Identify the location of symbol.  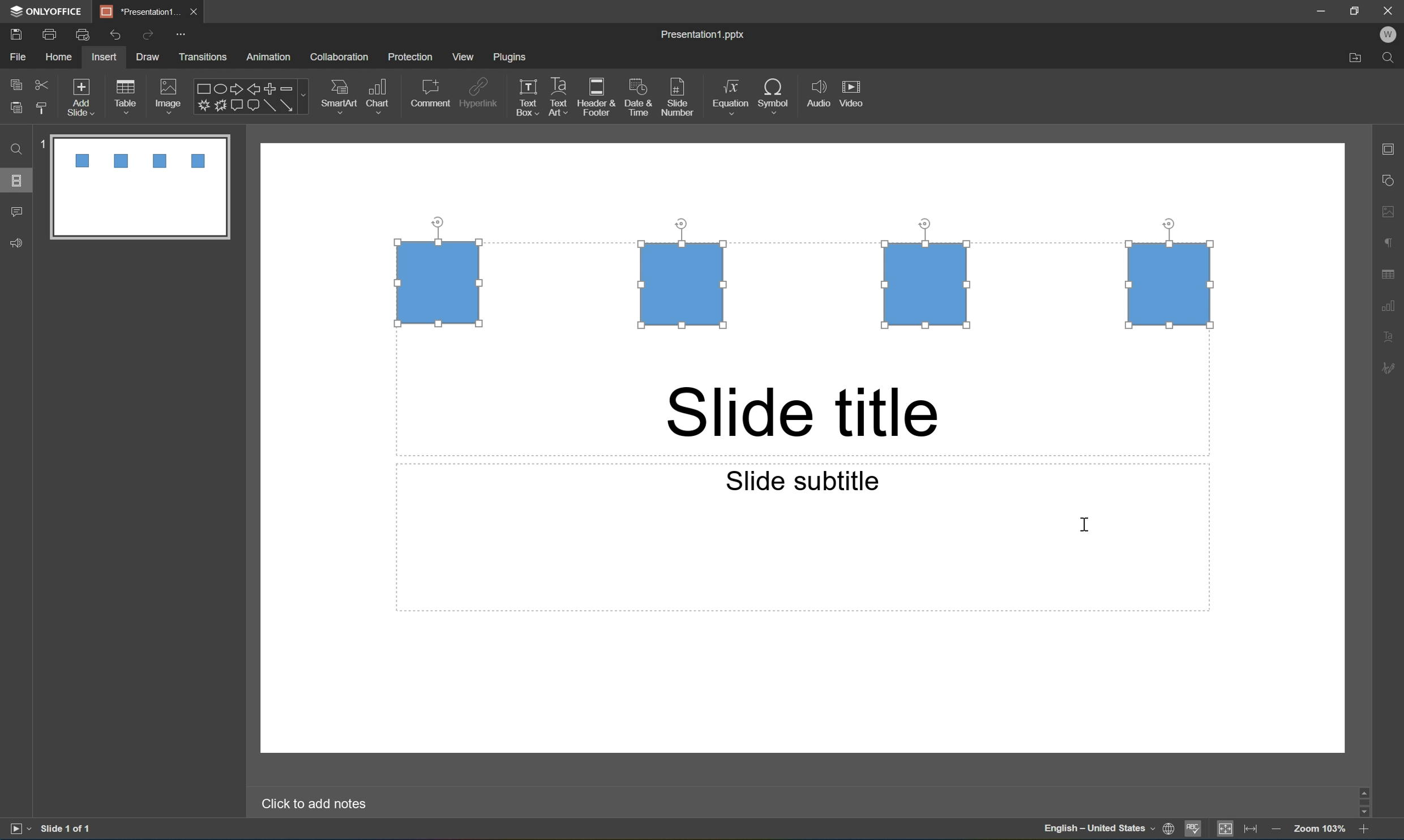
(774, 94).